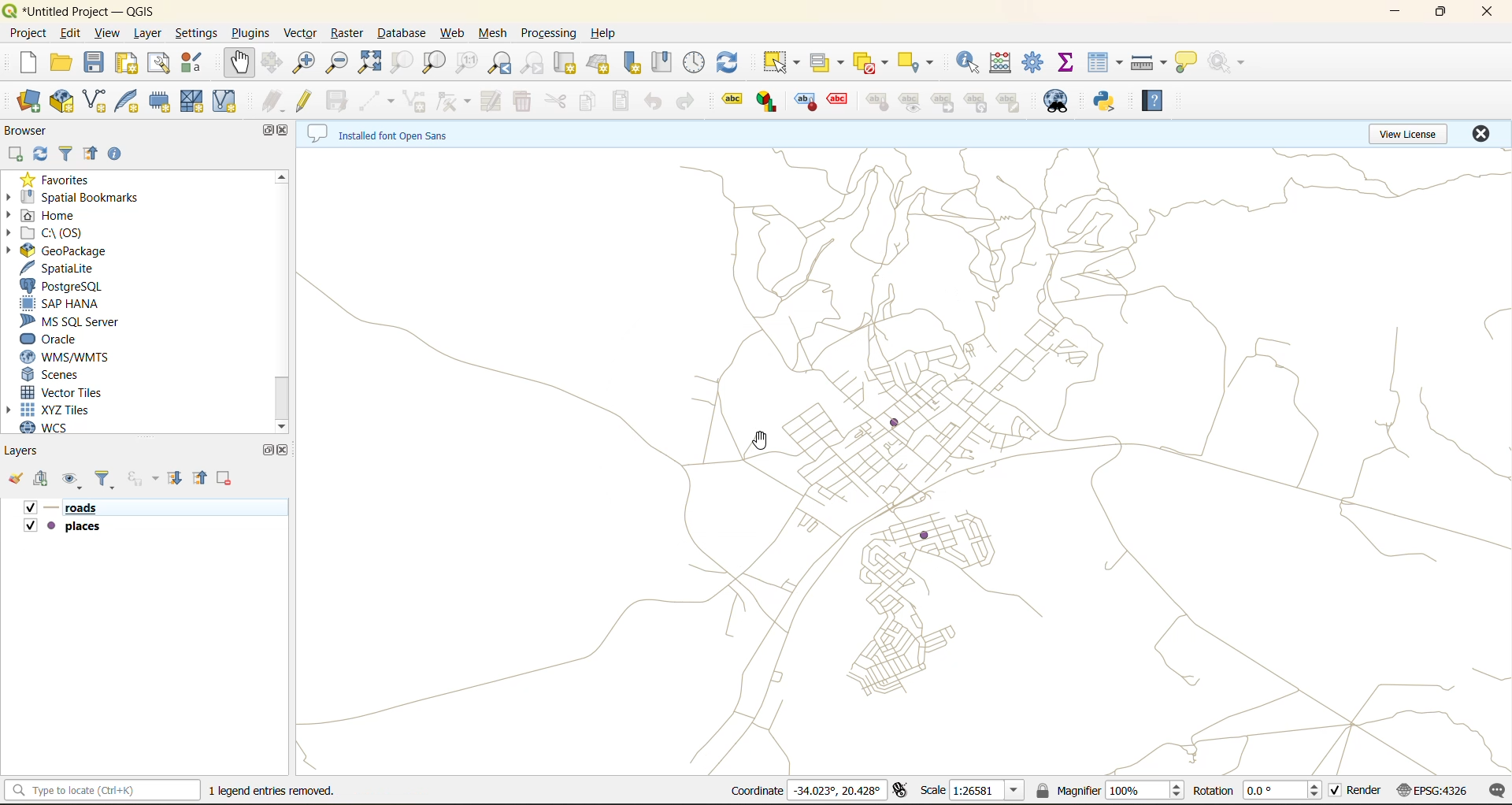 The width and height of the screenshot is (1512, 805). I want to click on zoom full, so click(372, 63).